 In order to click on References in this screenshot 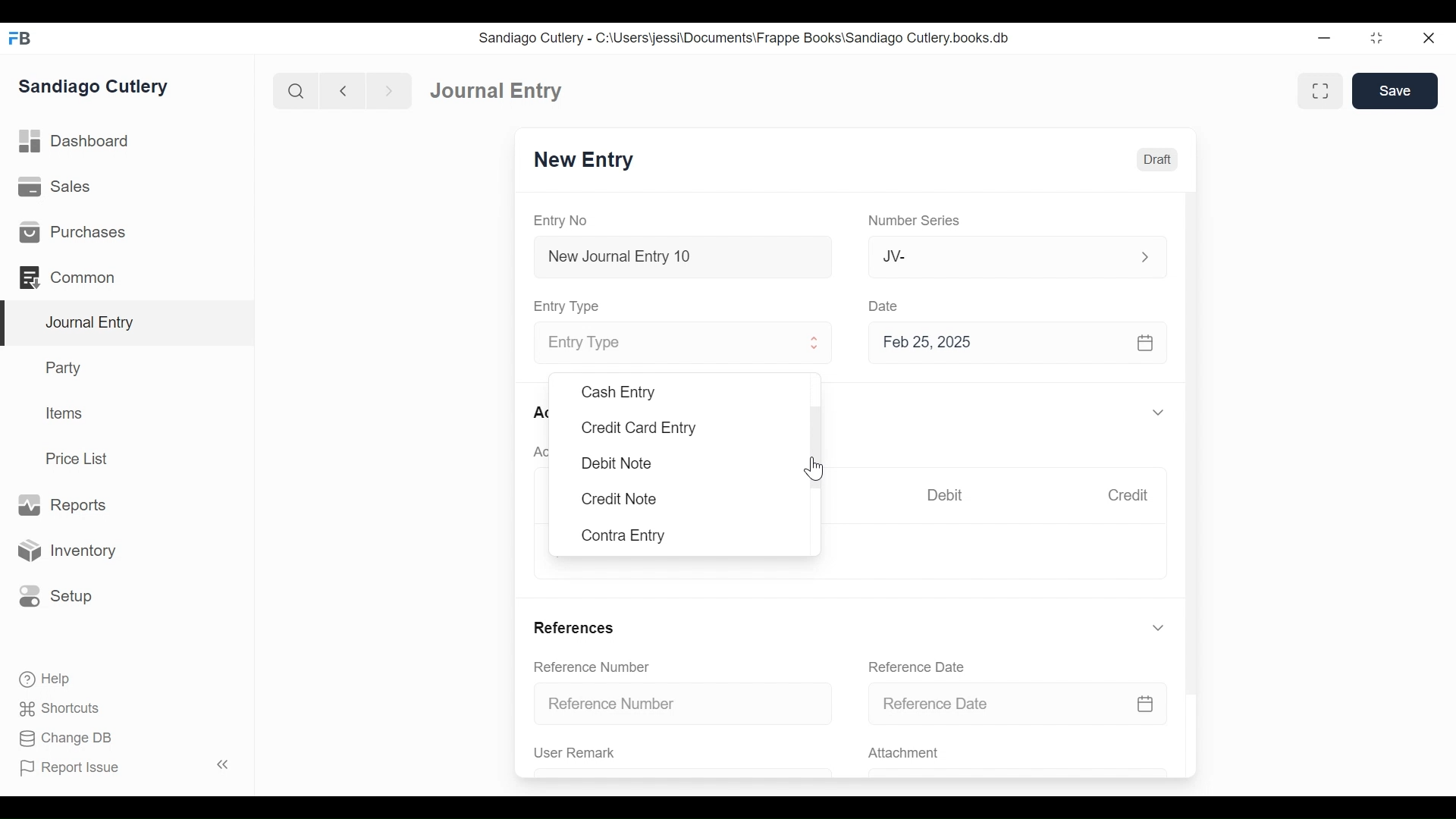, I will do `click(576, 626)`.